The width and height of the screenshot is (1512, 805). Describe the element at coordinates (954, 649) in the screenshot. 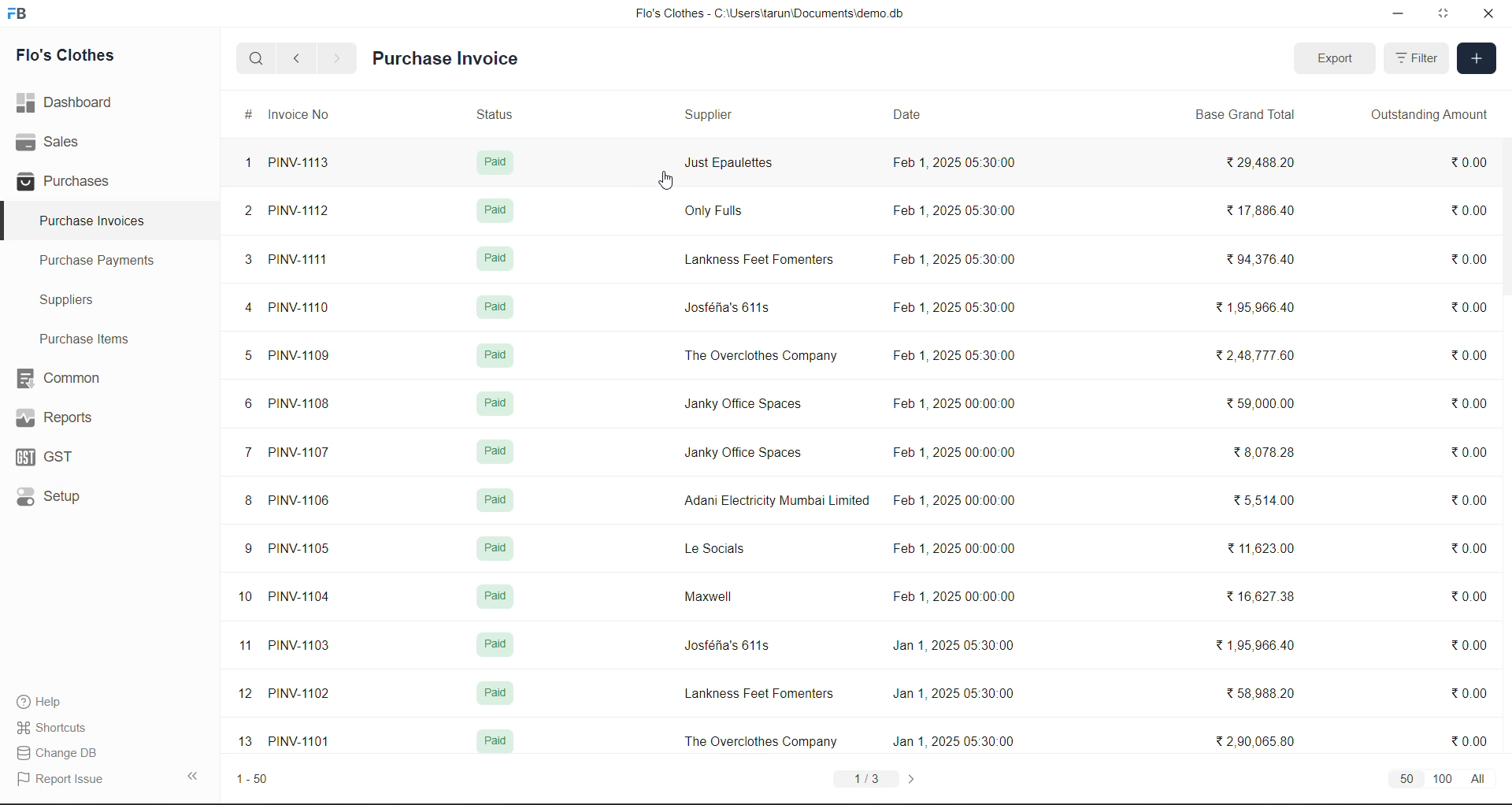

I see `Jan 1, 2025 05:30:00` at that location.